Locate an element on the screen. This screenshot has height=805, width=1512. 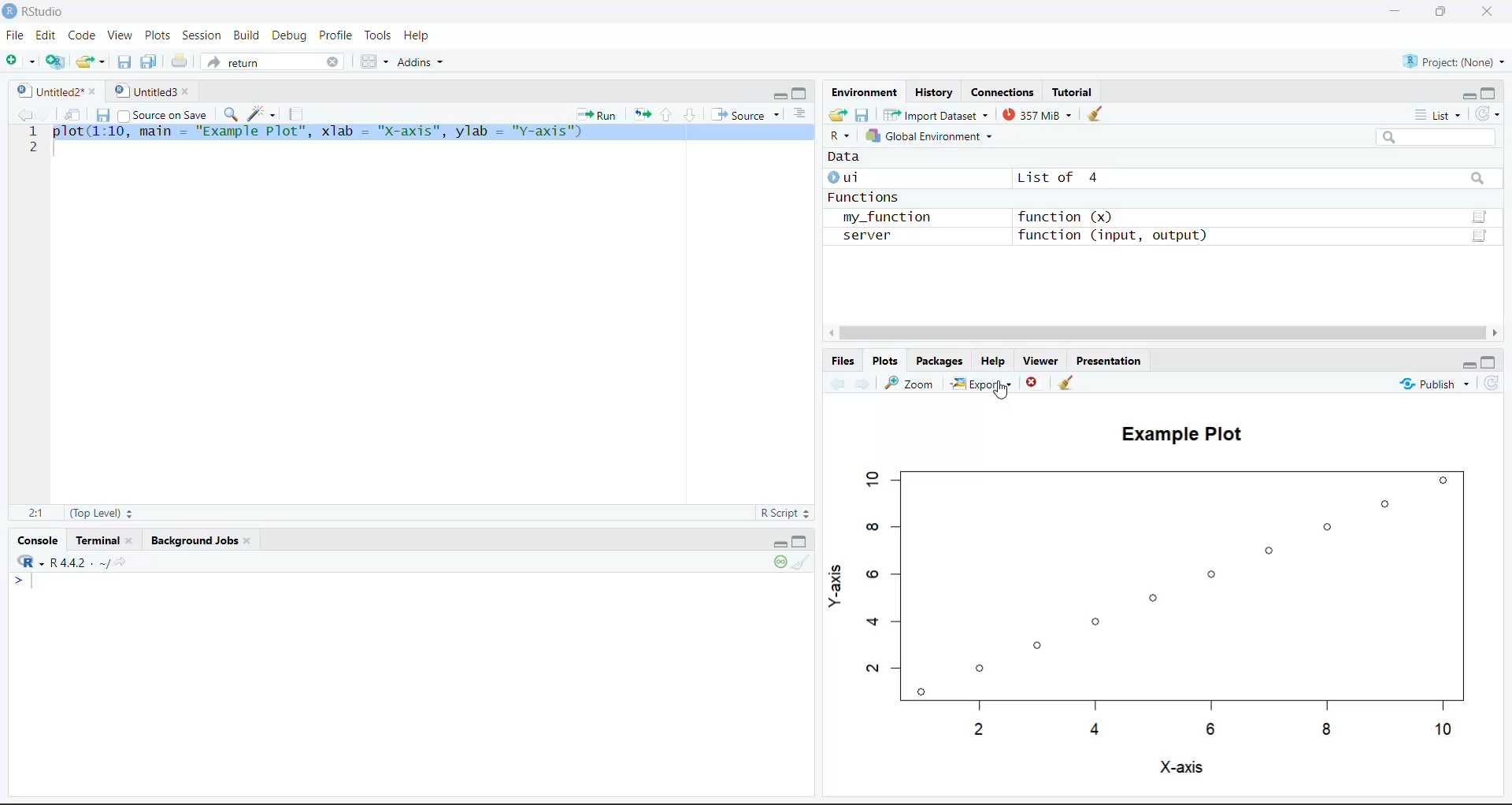
Right is located at coordinates (1496, 332).